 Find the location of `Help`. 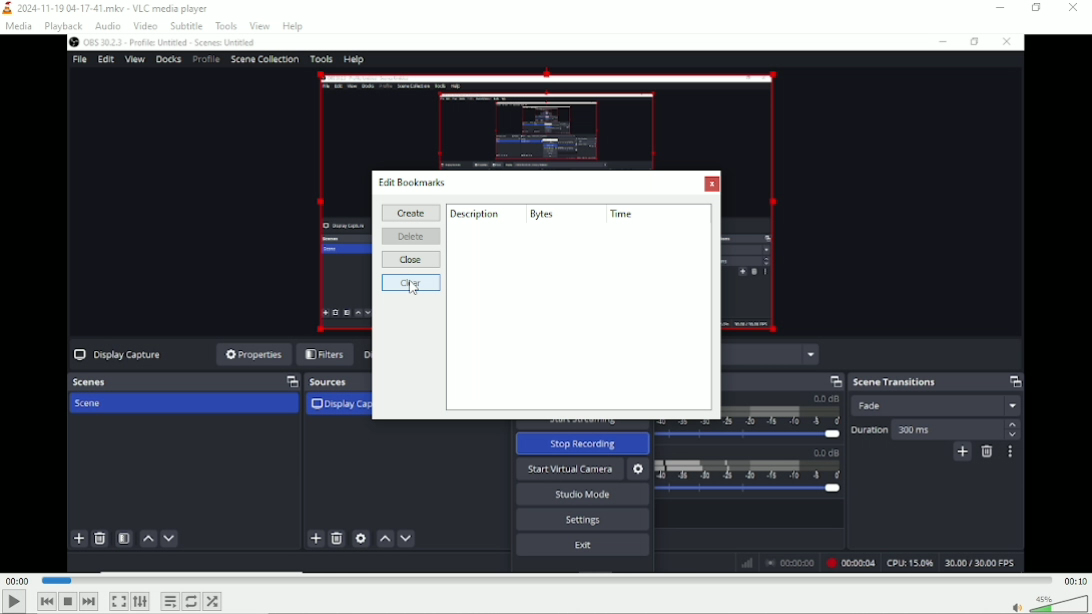

Help is located at coordinates (293, 26).